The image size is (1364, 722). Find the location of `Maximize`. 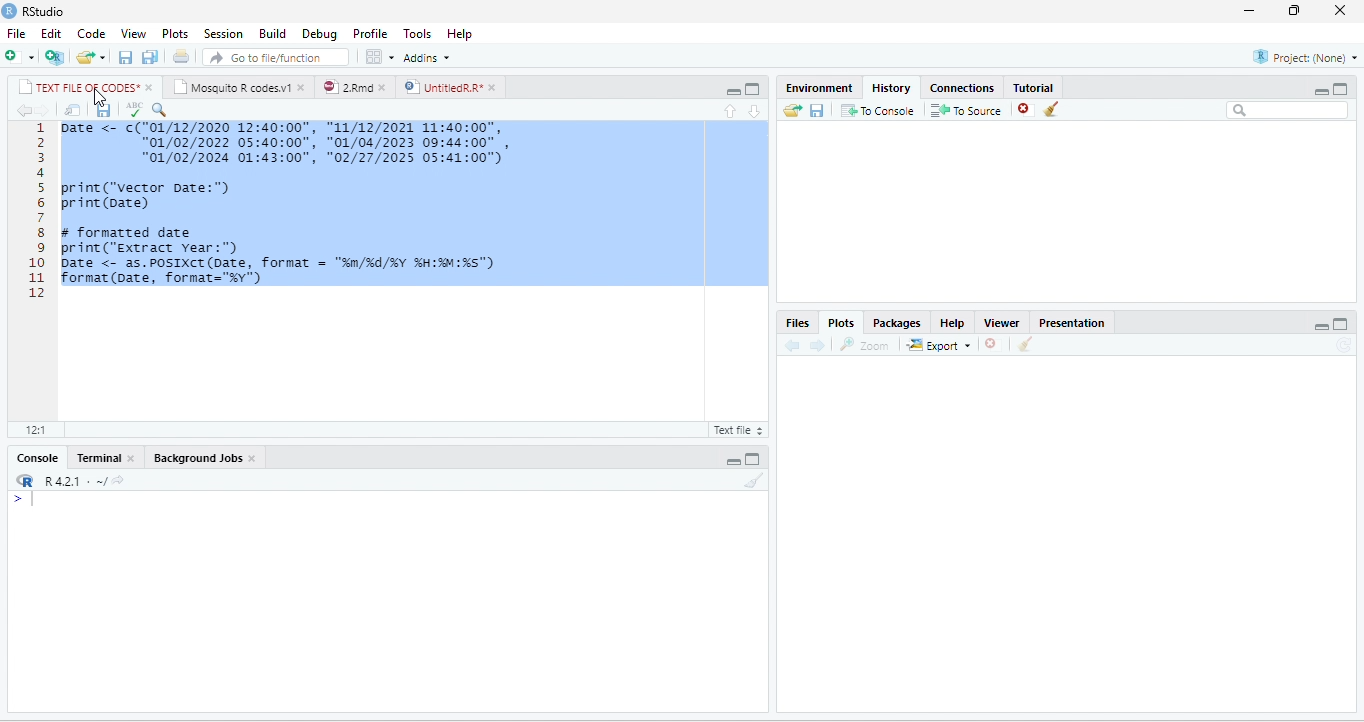

Maximize is located at coordinates (1340, 89).